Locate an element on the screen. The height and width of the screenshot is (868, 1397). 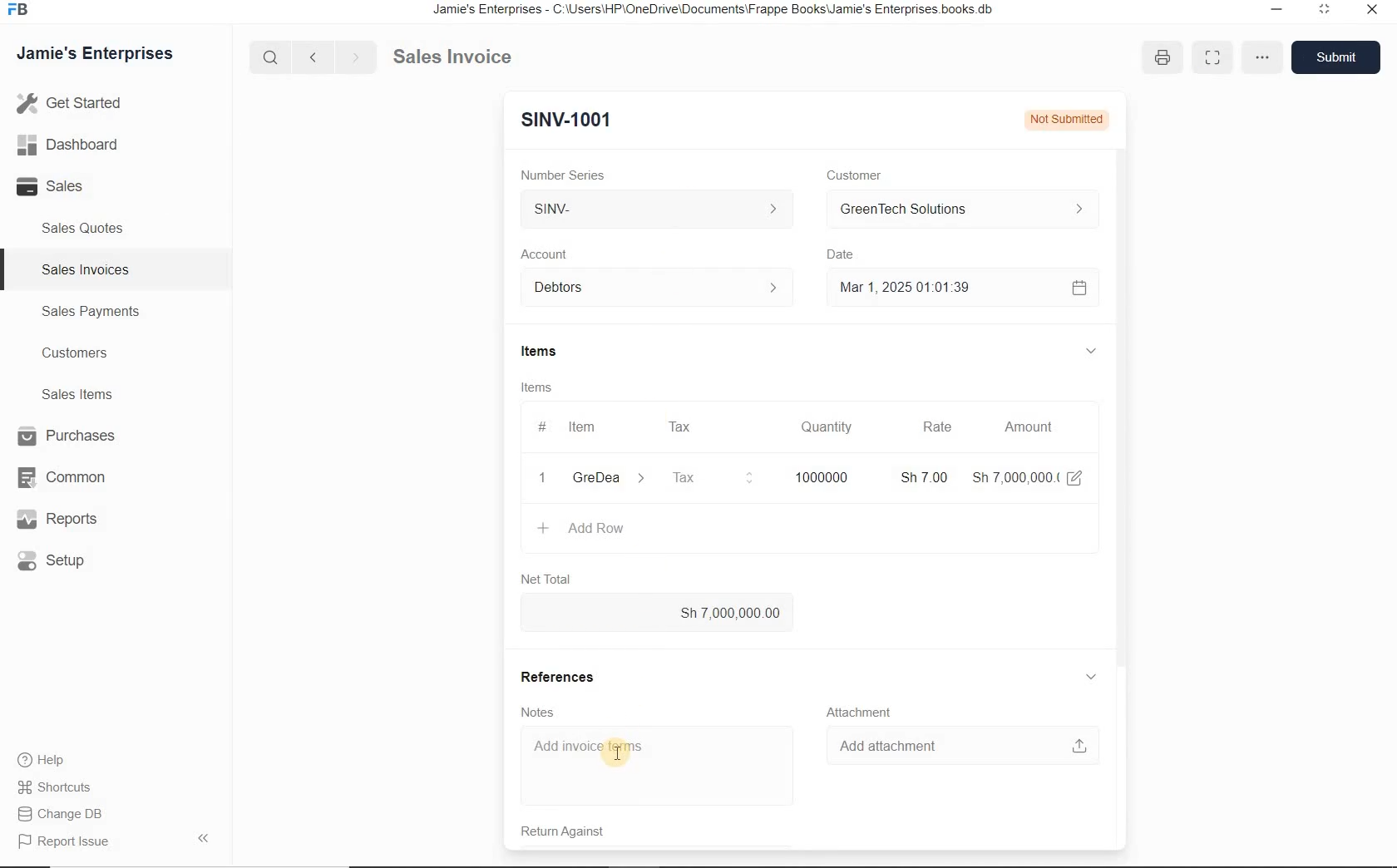
Mar 1,2025 01:01:39 is located at coordinates (940, 288).